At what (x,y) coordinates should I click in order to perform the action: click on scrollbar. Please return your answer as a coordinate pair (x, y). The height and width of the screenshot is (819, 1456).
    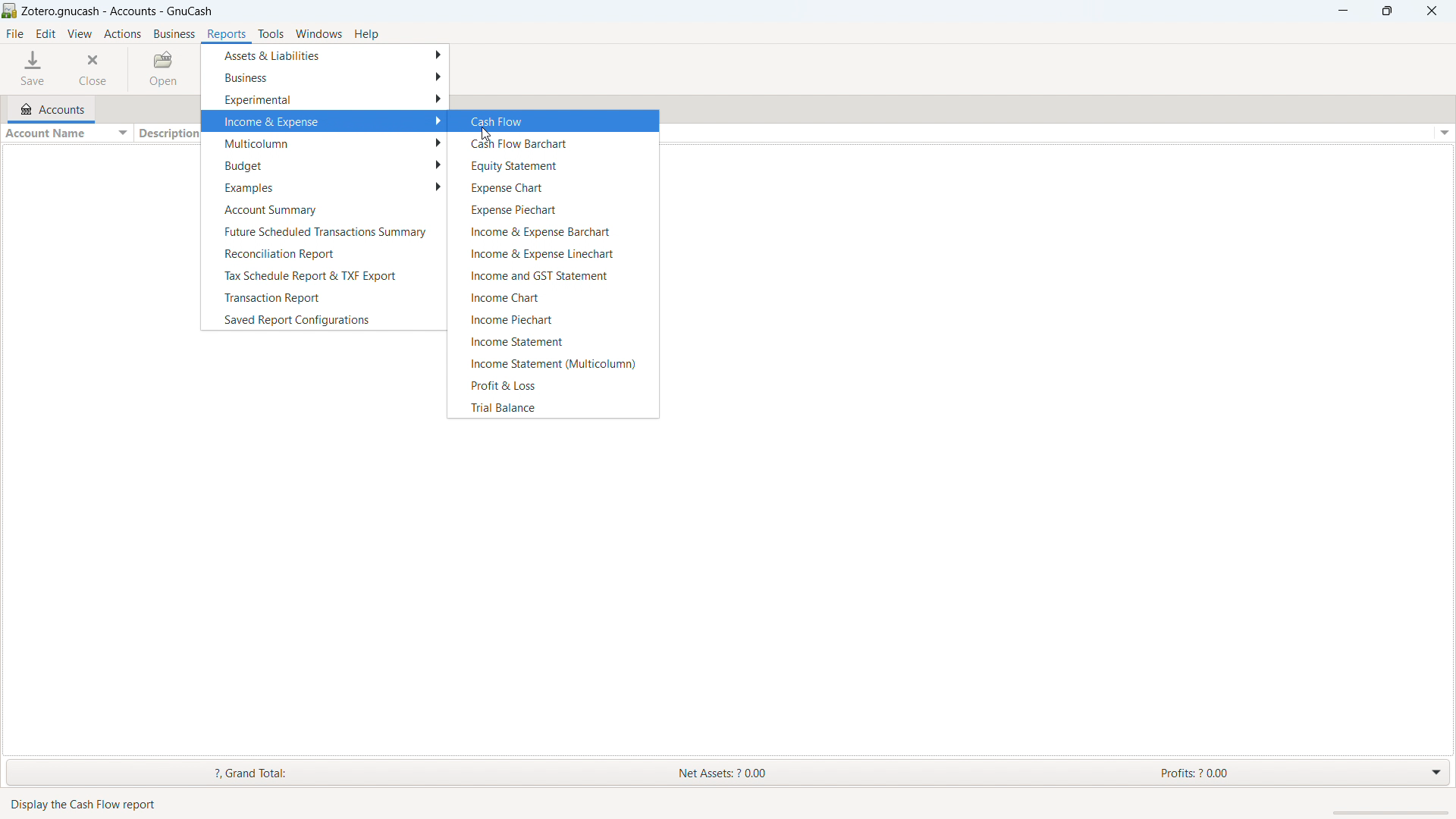
    Looking at the image, I should click on (1389, 811).